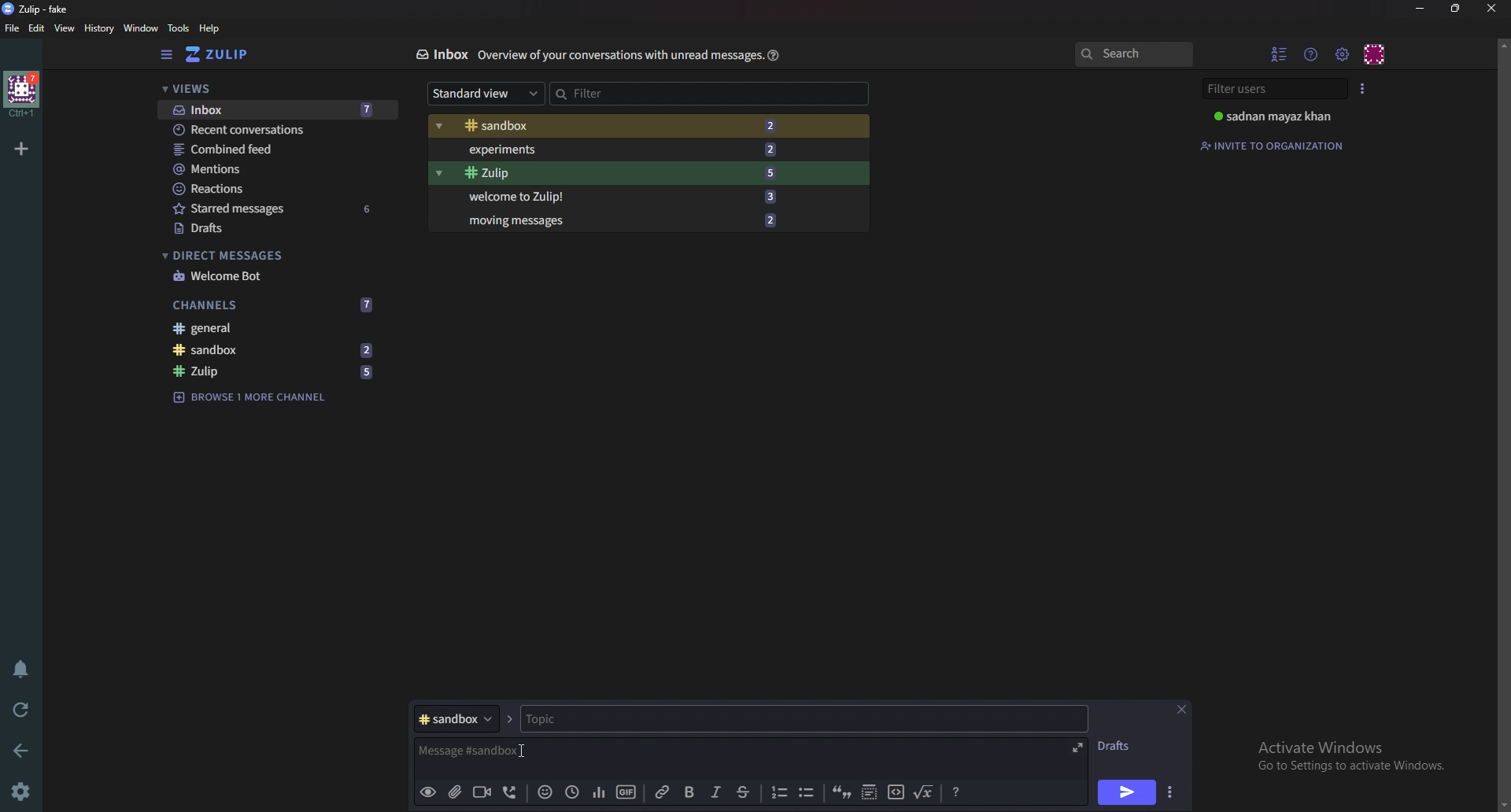 This screenshot has width=1511, height=812. What do you see at coordinates (272, 109) in the screenshot?
I see `Inbox` at bounding box center [272, 109].